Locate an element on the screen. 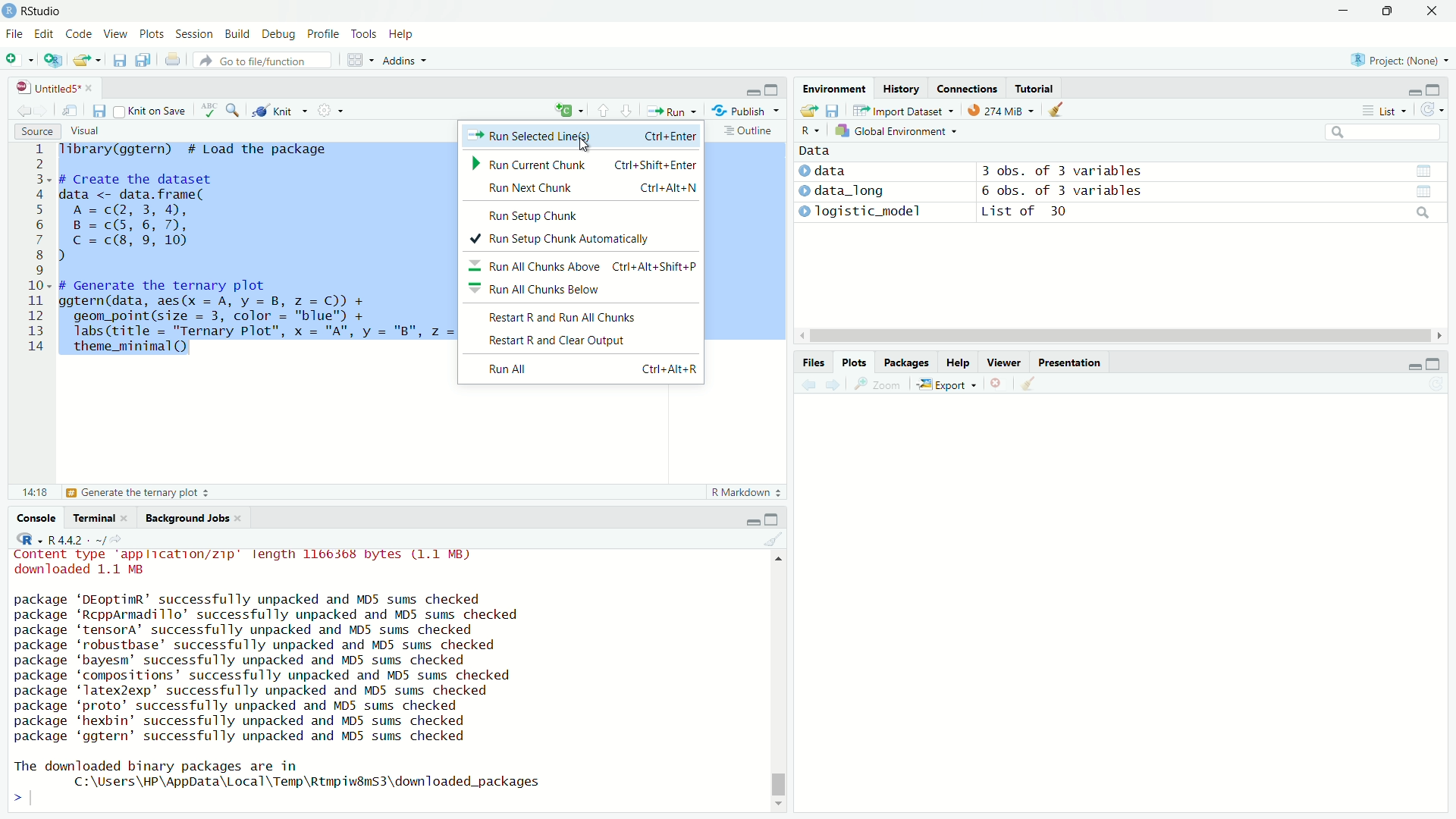 This screenshot has width=1456, height=819. save is located at coordinates (99, 111).